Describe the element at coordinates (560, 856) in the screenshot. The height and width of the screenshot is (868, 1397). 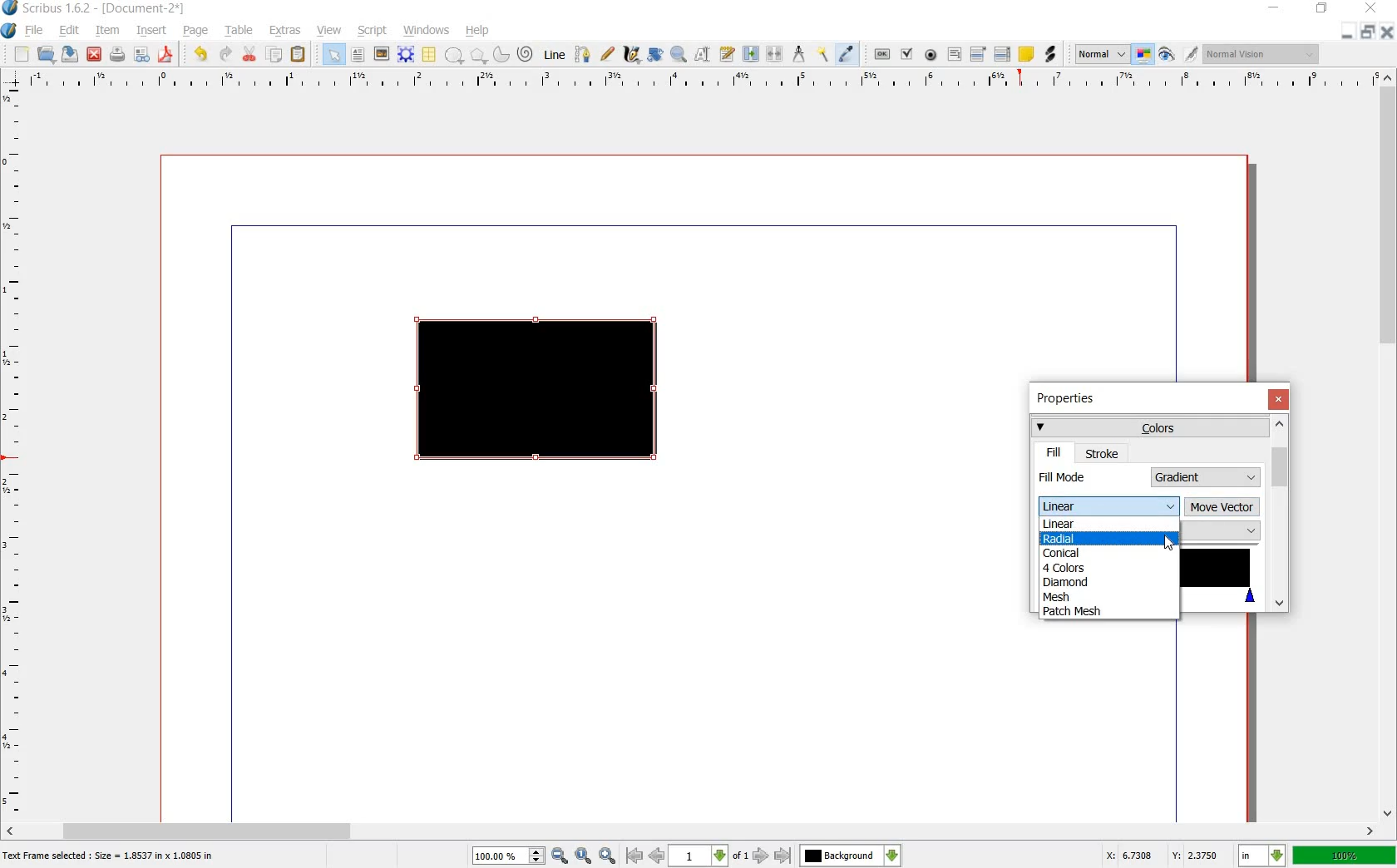
I see `zoom out` at that location.